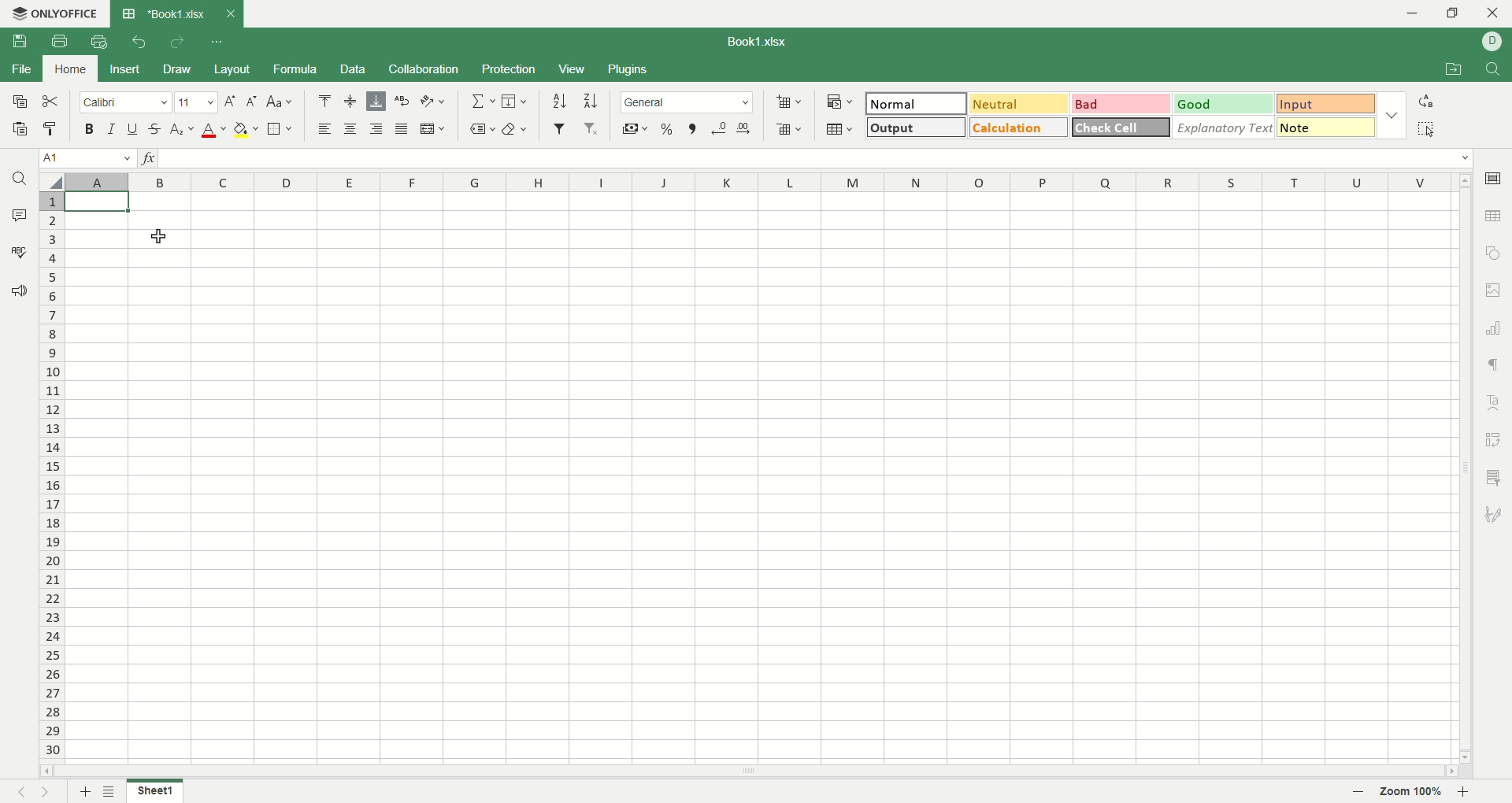  Describe the element at coordinates (1497, 69) in the screenshot. I see `find` at that location.